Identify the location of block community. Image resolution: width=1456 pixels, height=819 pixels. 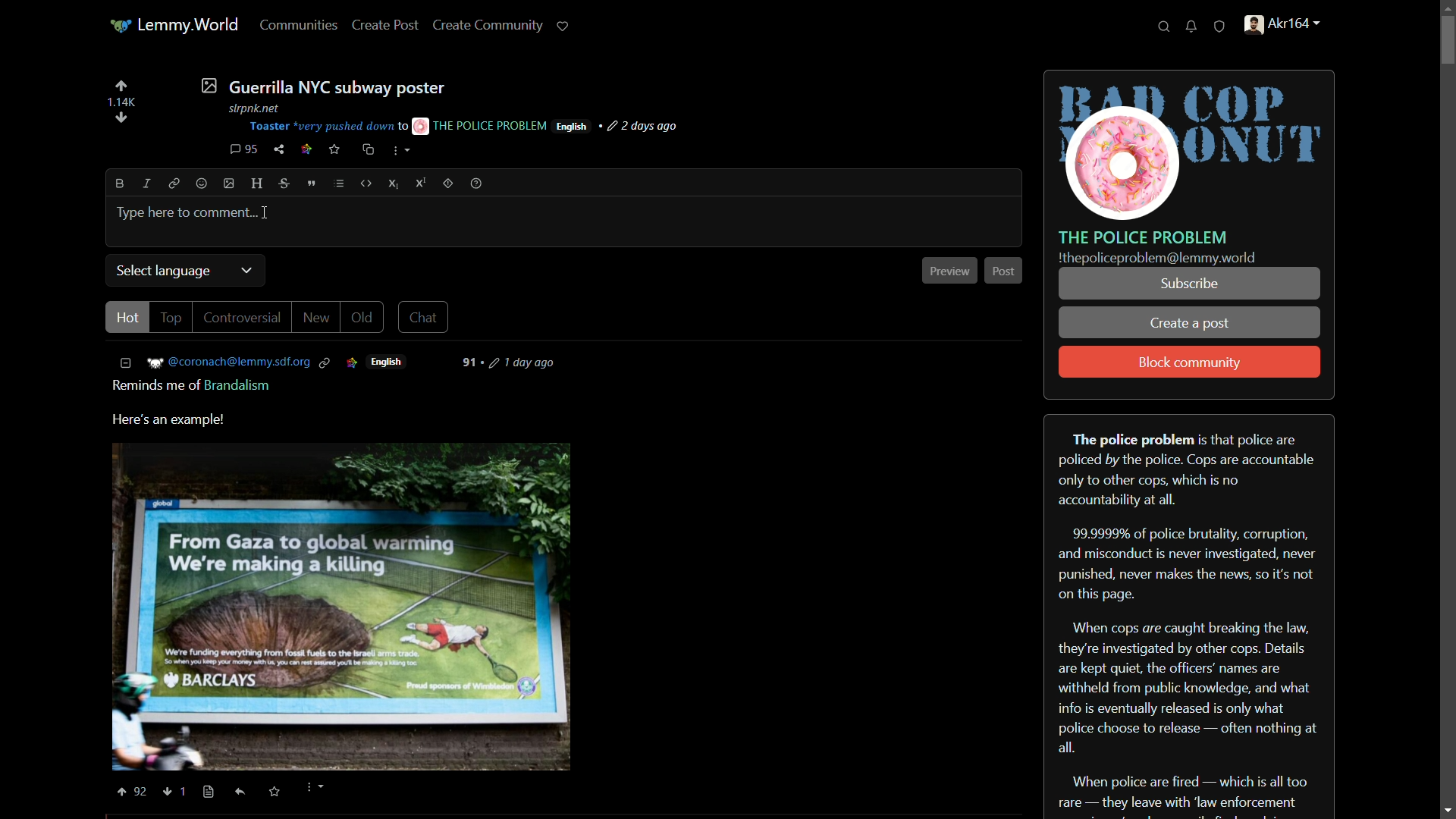
(1190, 363).